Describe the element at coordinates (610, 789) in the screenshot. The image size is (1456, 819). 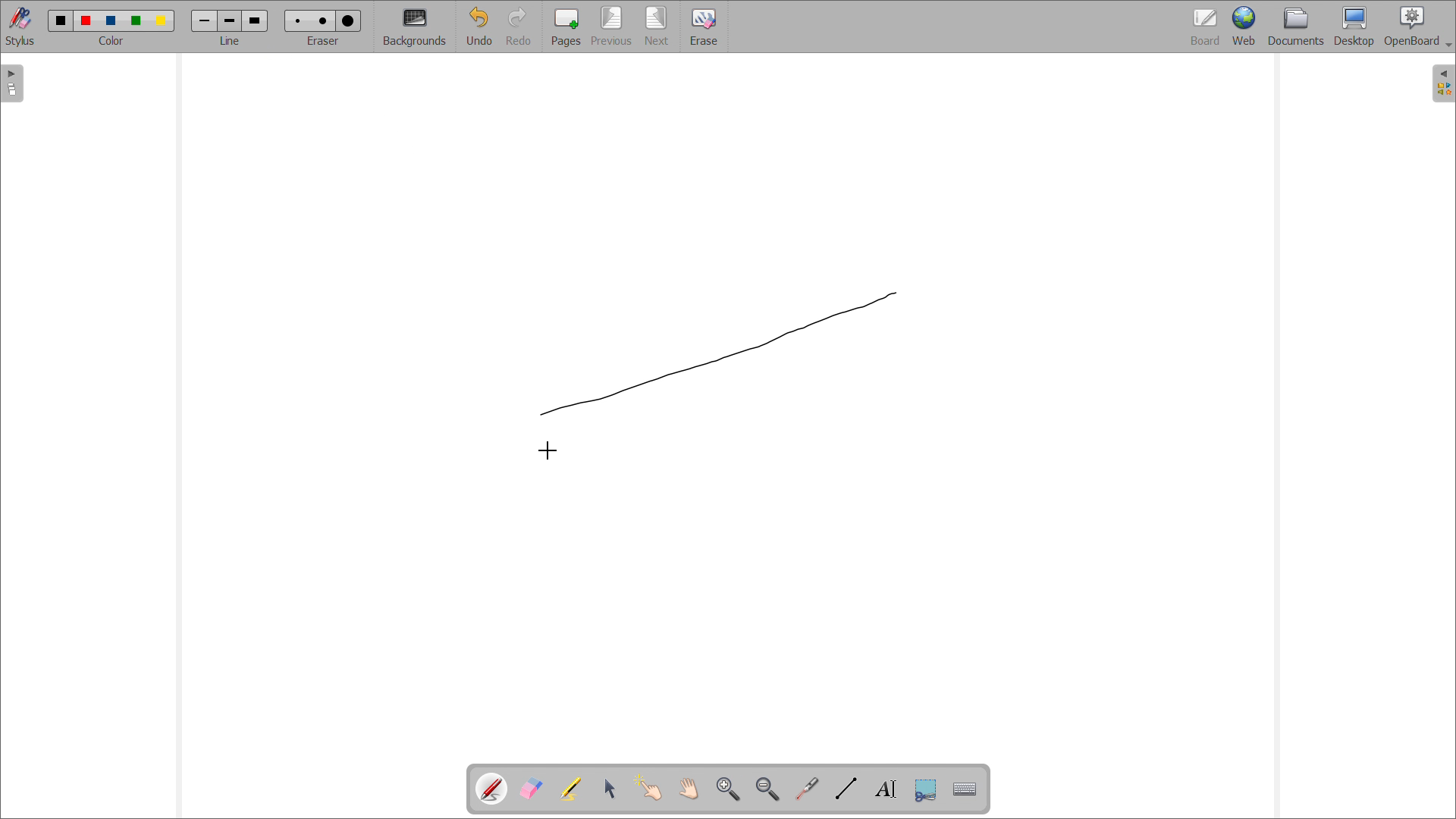
I see `select and modify objects` at that location.